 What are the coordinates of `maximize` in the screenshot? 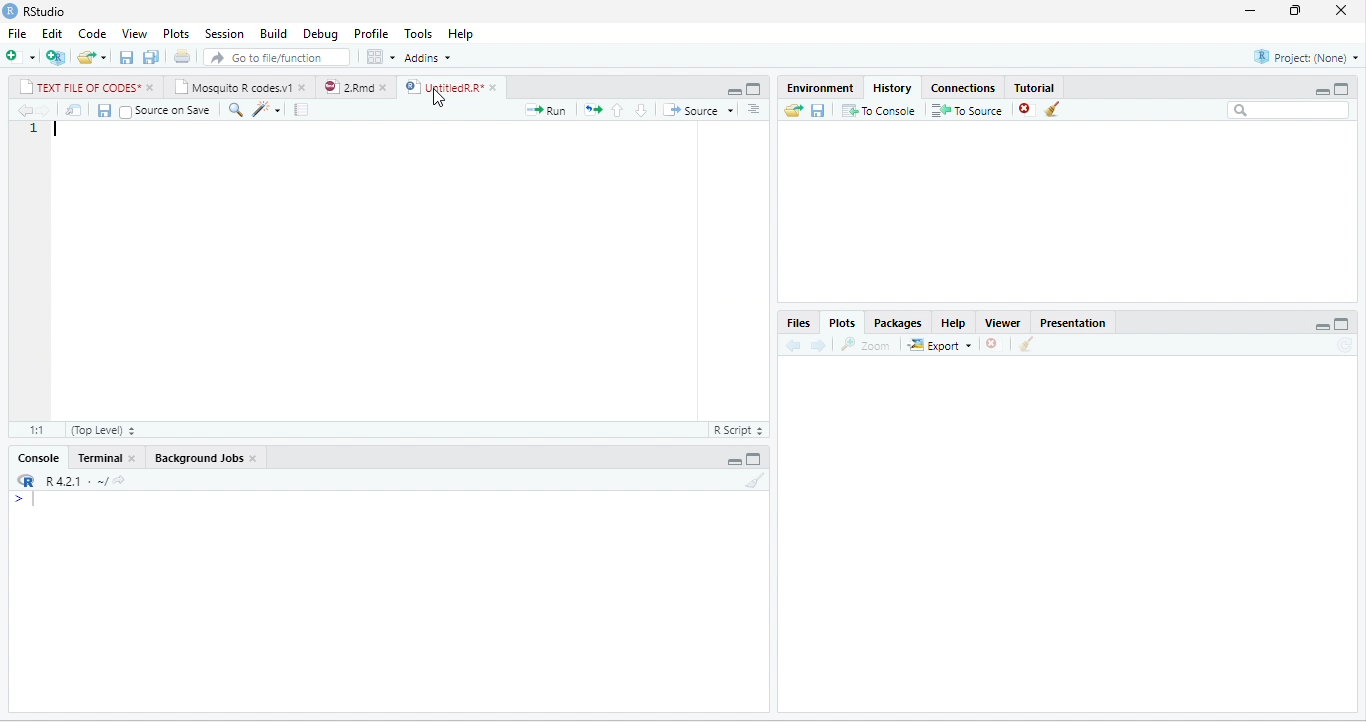 It's located at (1342, 89).